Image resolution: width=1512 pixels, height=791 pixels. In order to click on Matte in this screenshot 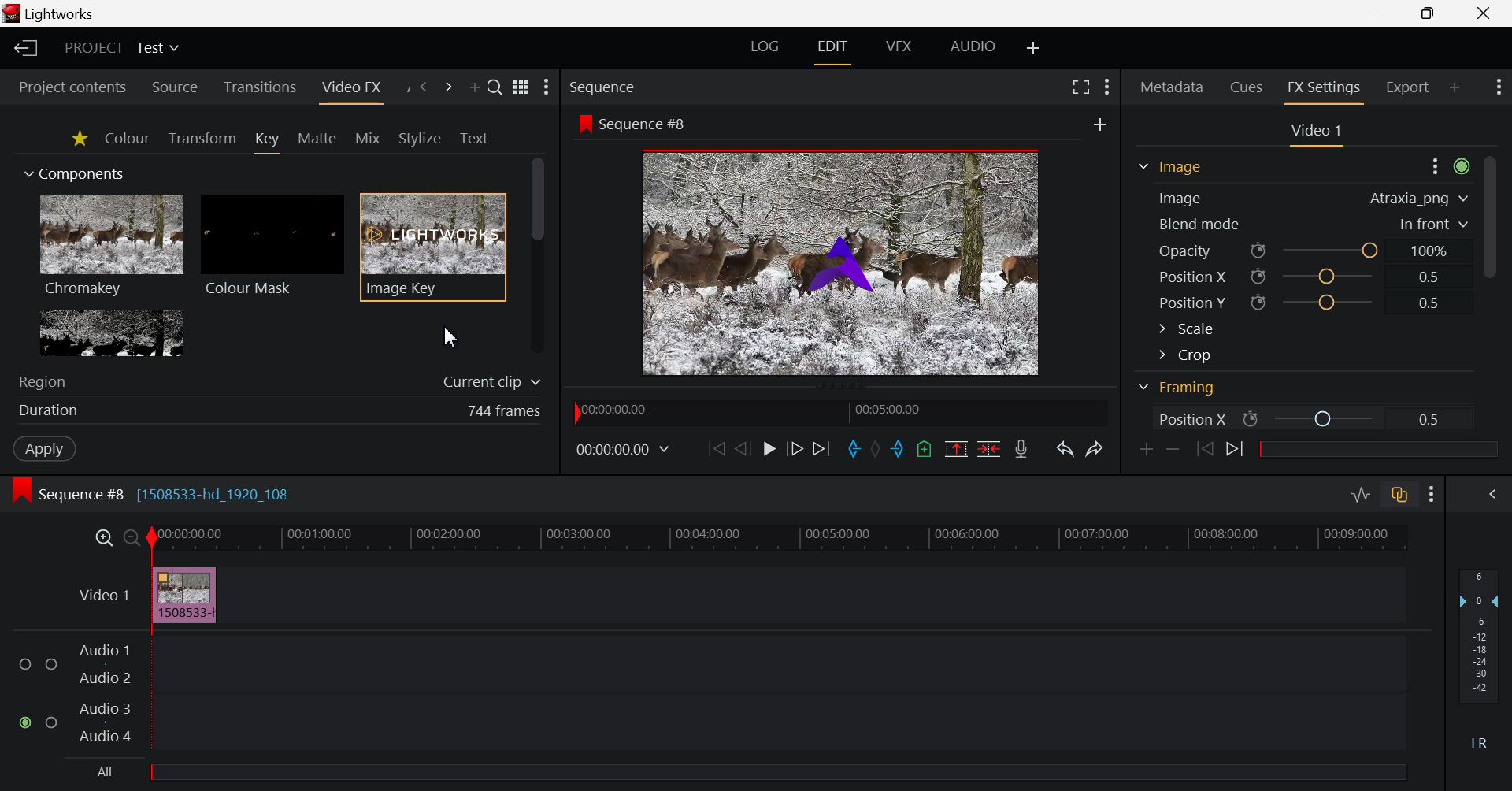, I will do `click(320, 139)`.